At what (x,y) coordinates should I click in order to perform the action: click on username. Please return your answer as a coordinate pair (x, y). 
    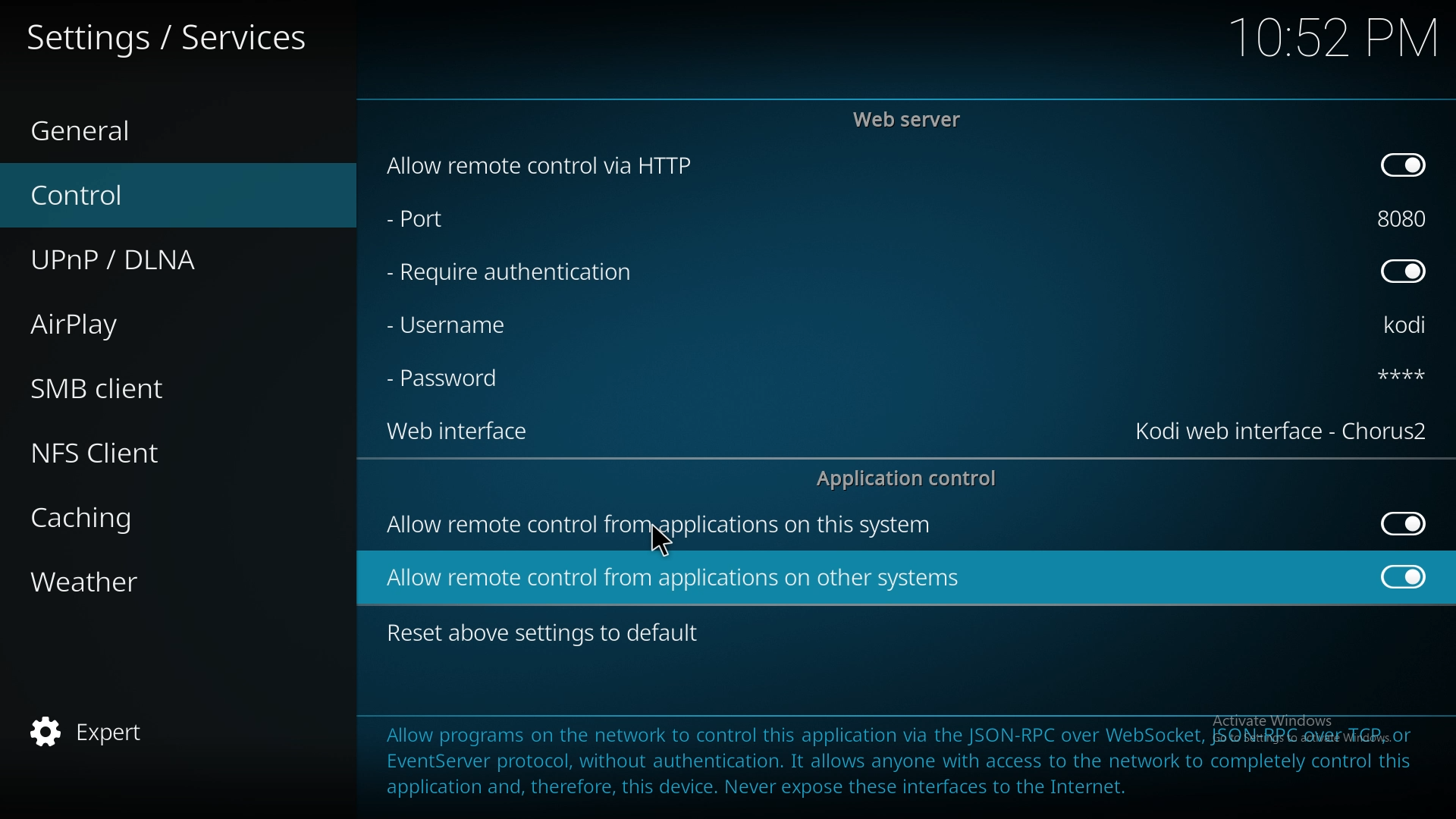
    Looking at the image, I should click on (462, 324).